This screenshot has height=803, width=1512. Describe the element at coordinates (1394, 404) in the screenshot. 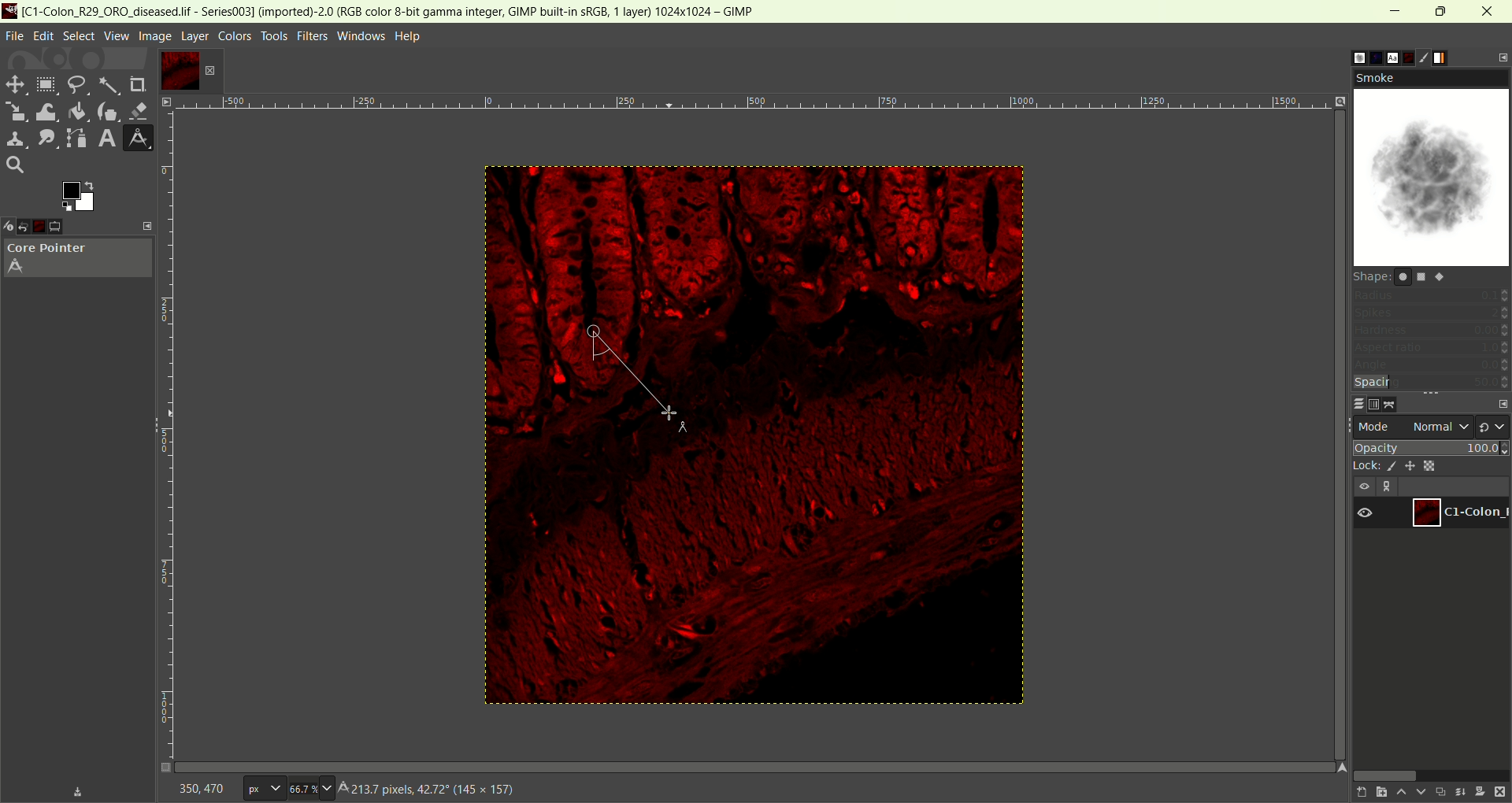

I see `paths` at that location.